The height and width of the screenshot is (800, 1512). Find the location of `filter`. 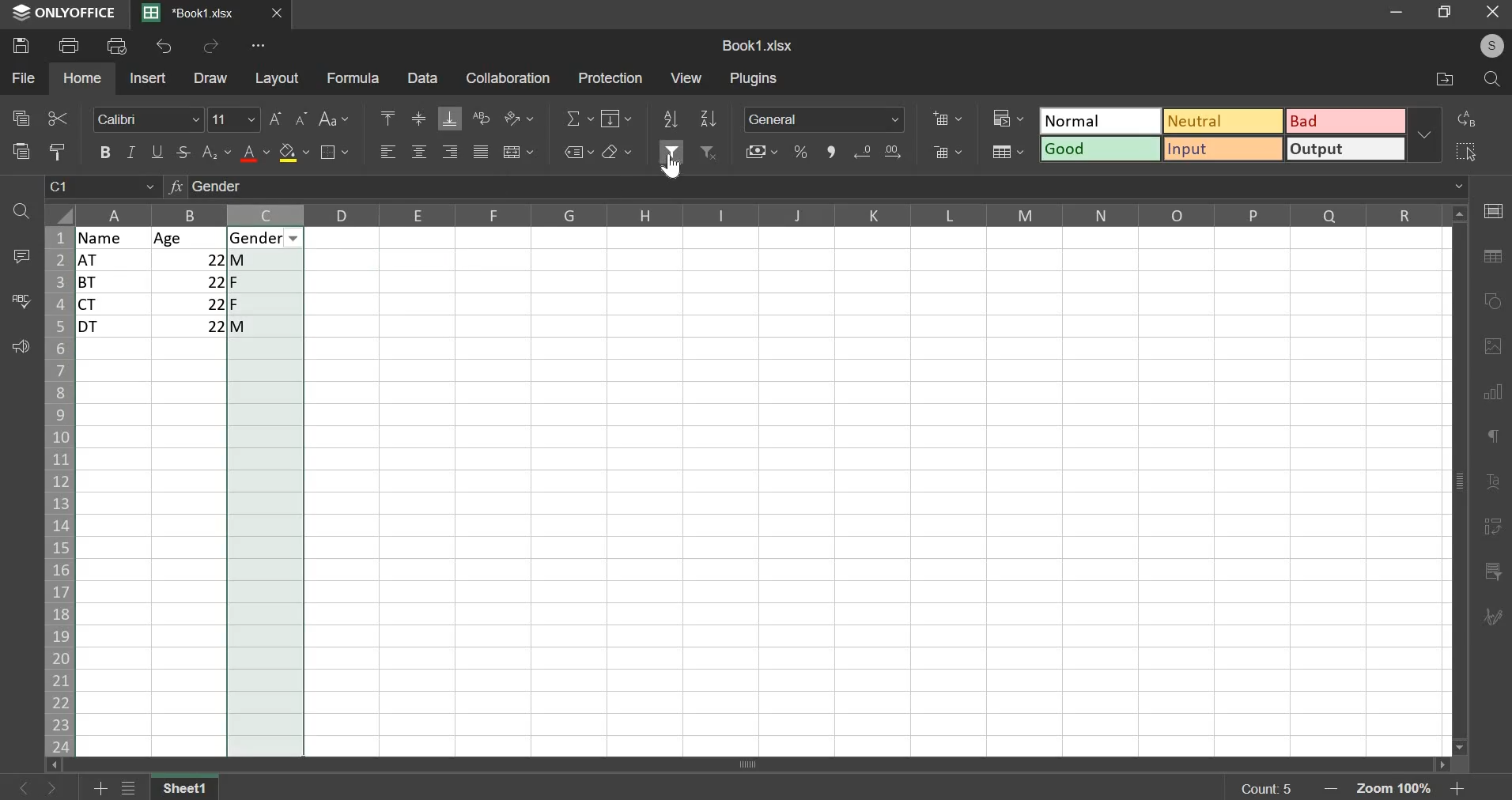

filter is located at coordinates (673, 149).